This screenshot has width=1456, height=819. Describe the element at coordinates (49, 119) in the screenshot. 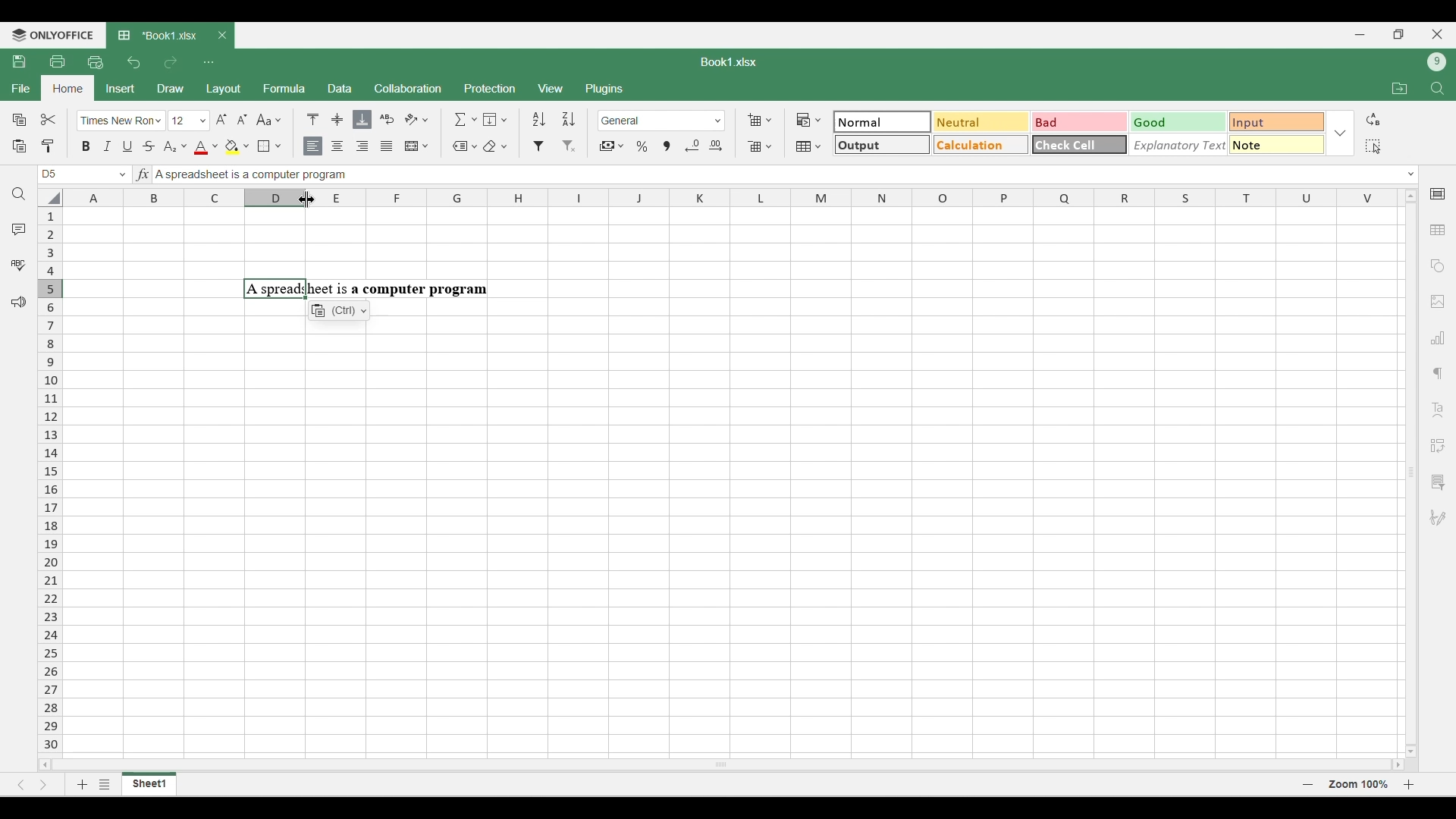

I see `Cut` at that location.